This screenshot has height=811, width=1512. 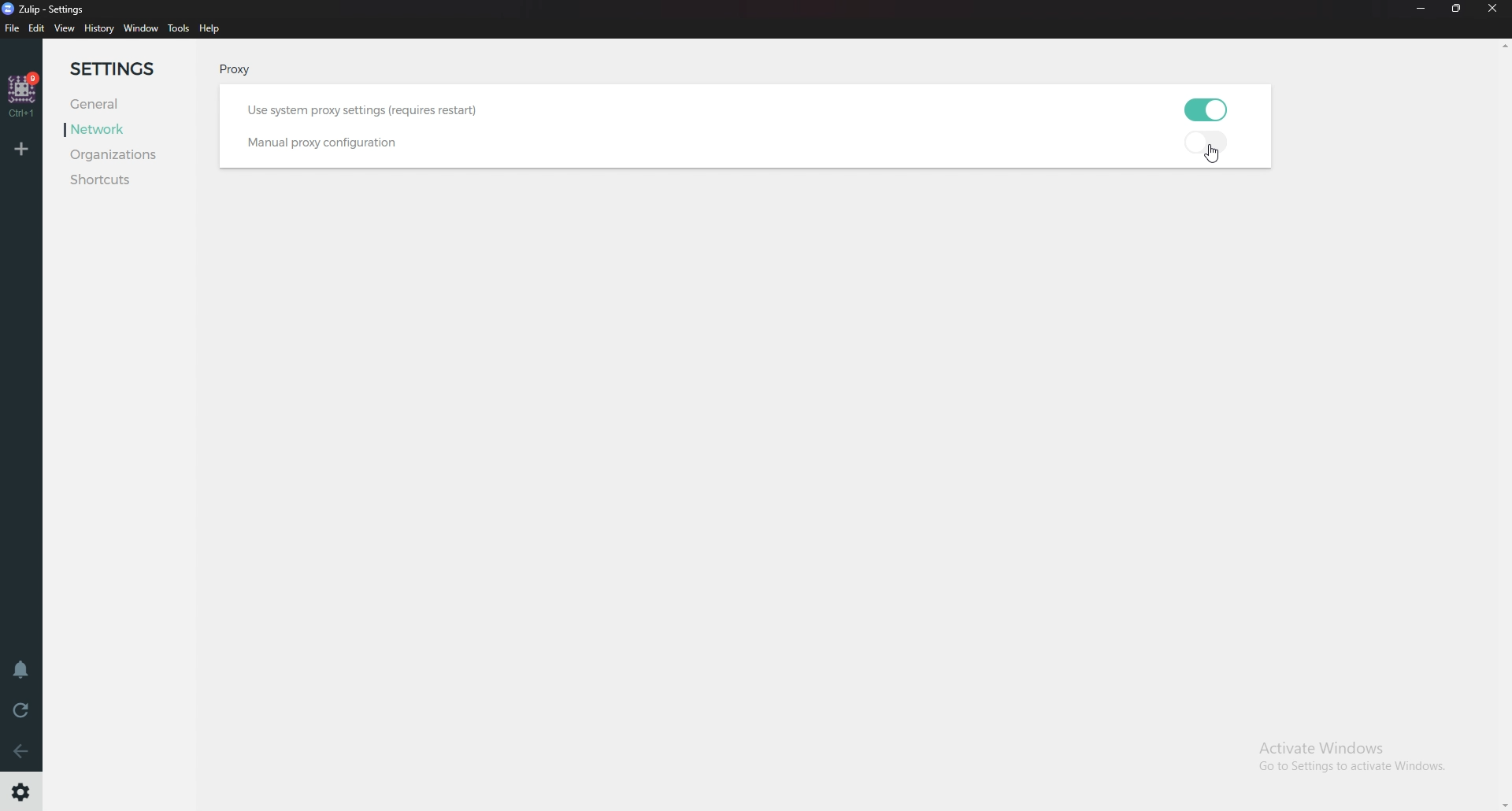 I want to click on History, so click(x=99, y=29).